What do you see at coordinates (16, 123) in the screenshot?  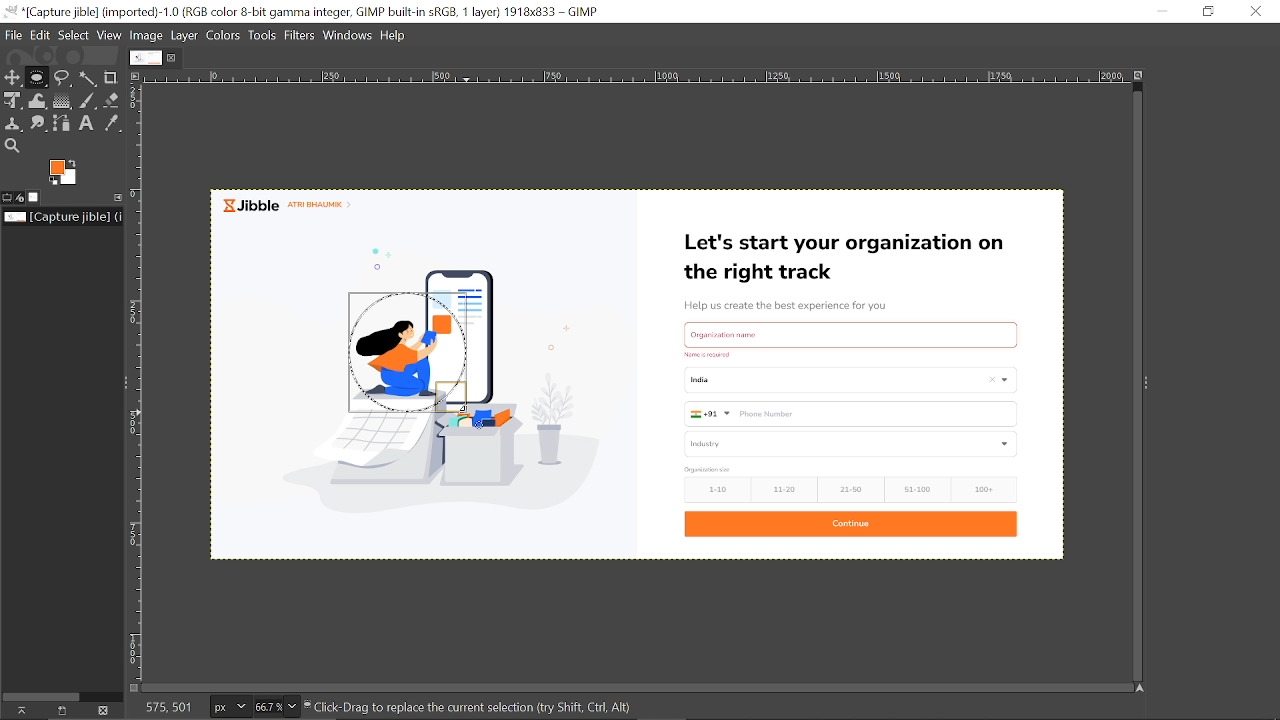 I see `Clone tool` at bounding box center [16, 123].